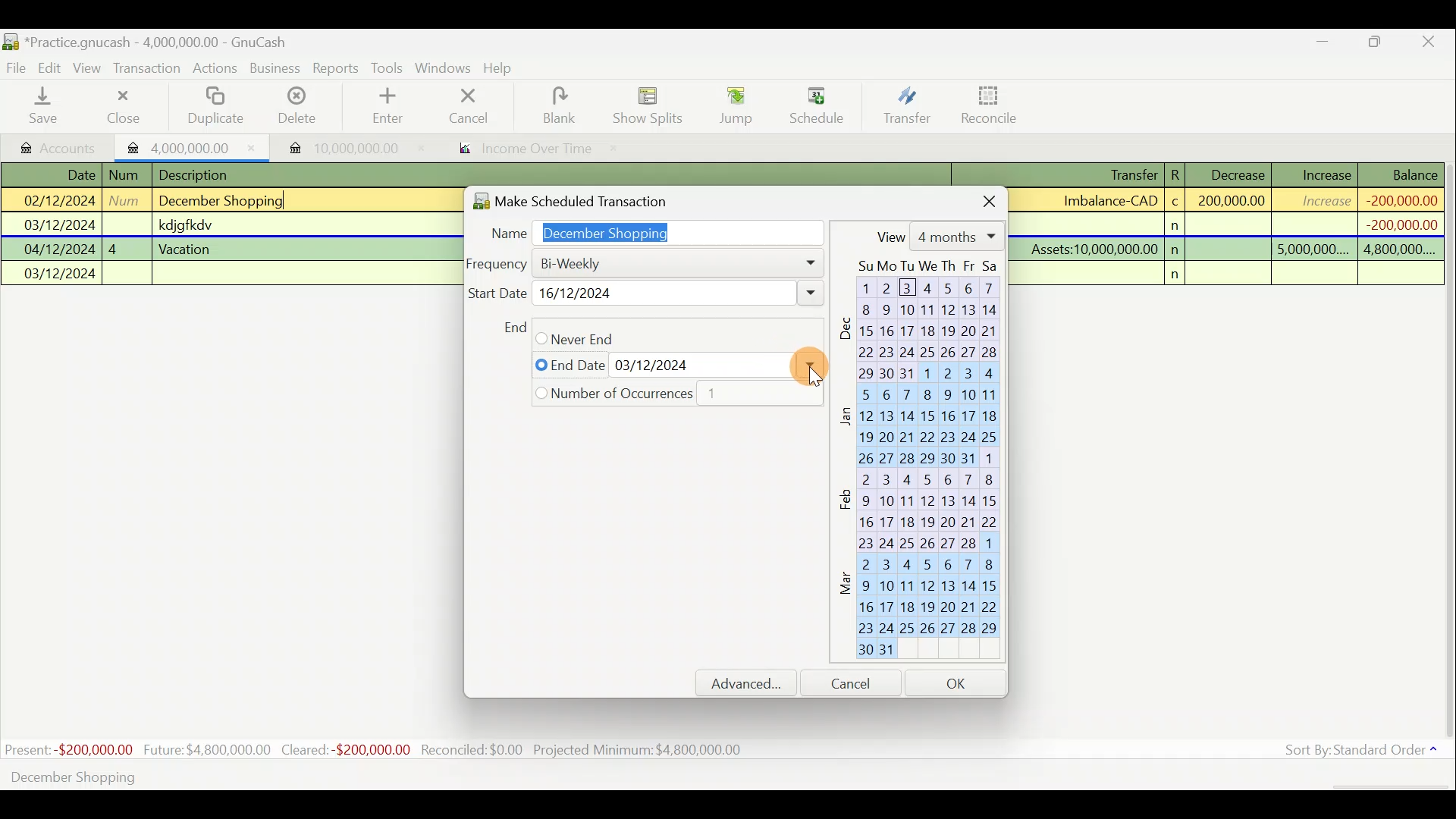 The image size is (1456, 819). Describe the element at coordinates (1376, 44) in the screenshot. I see `Maximise` at that location.